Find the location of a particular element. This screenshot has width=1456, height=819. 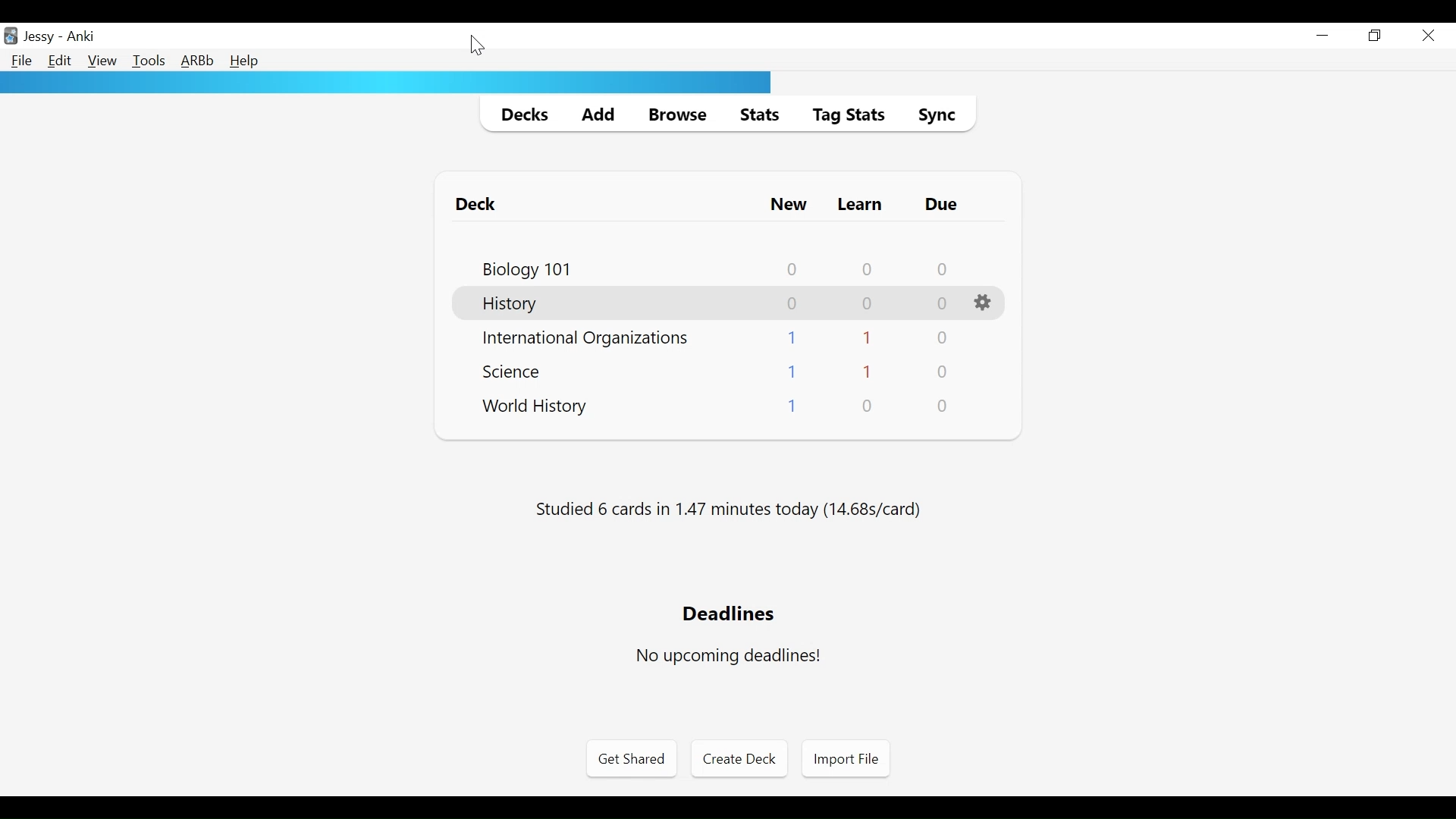

Otions is located at coordinates (984, 303).